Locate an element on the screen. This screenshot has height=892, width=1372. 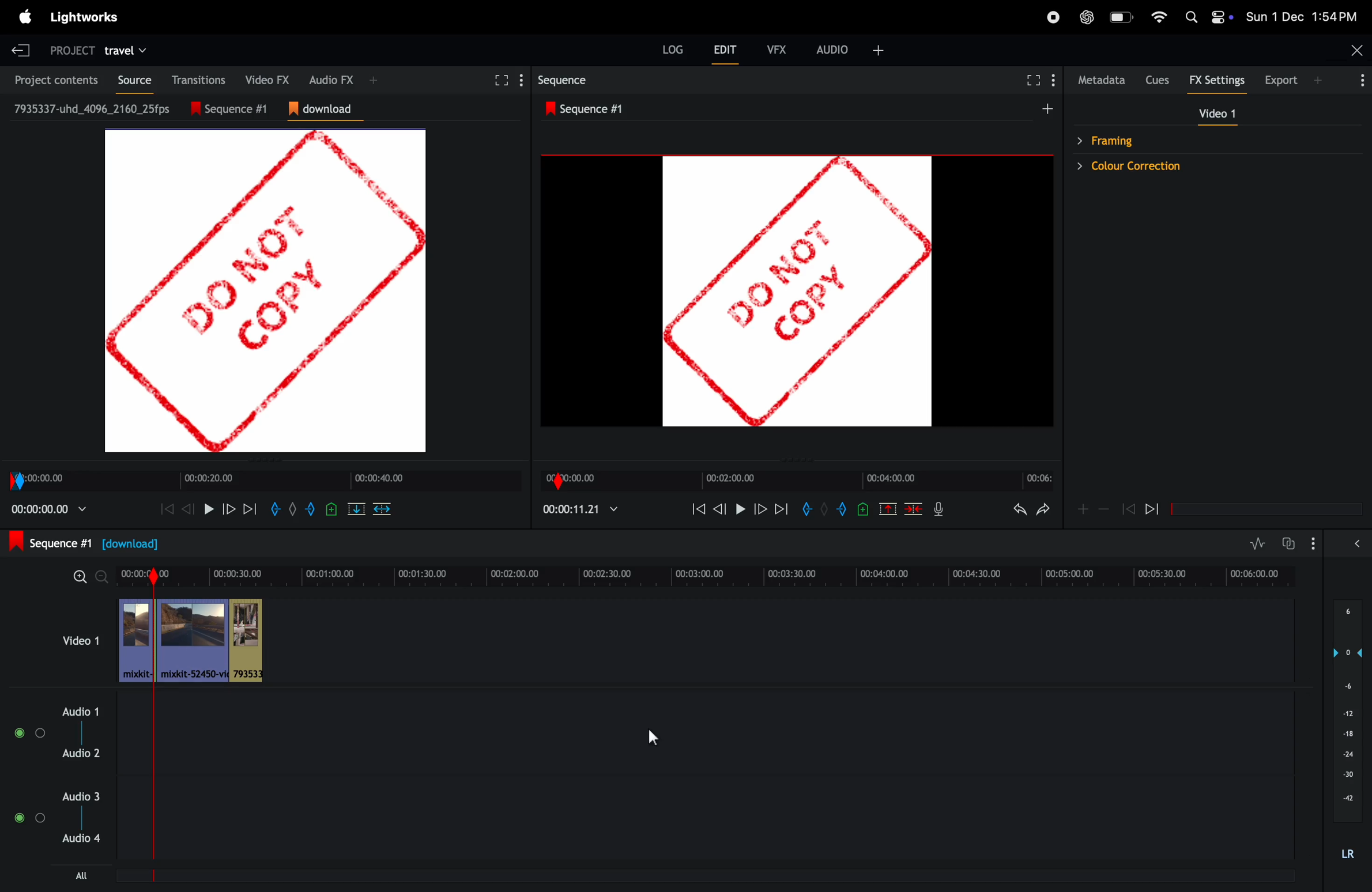
Add is located at coordinates (824, 508).